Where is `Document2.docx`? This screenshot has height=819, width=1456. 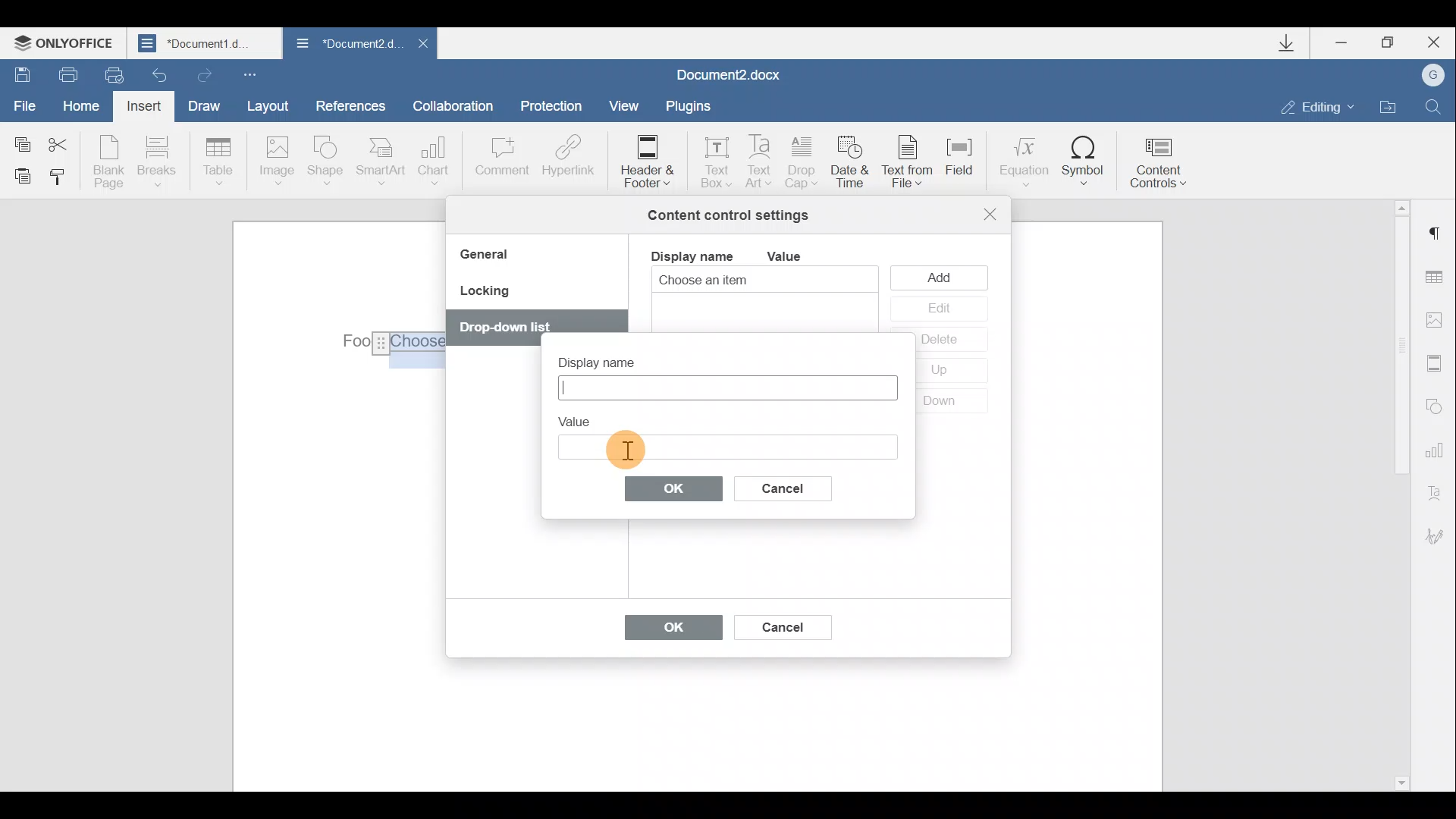 Document2.docx is located at coordinates (730, 73).